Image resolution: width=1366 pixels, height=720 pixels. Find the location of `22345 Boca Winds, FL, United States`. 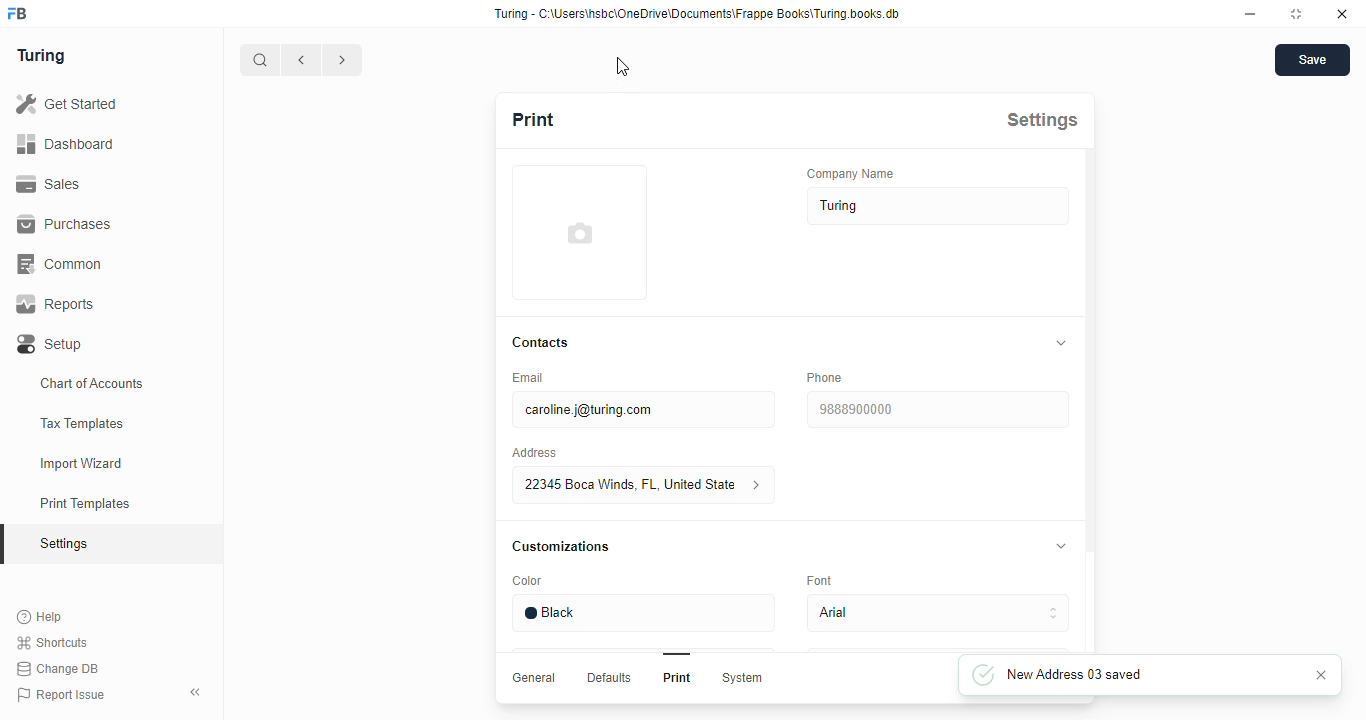

22345 Boca Winds, FL, United States is located at coordinates (645, 484).